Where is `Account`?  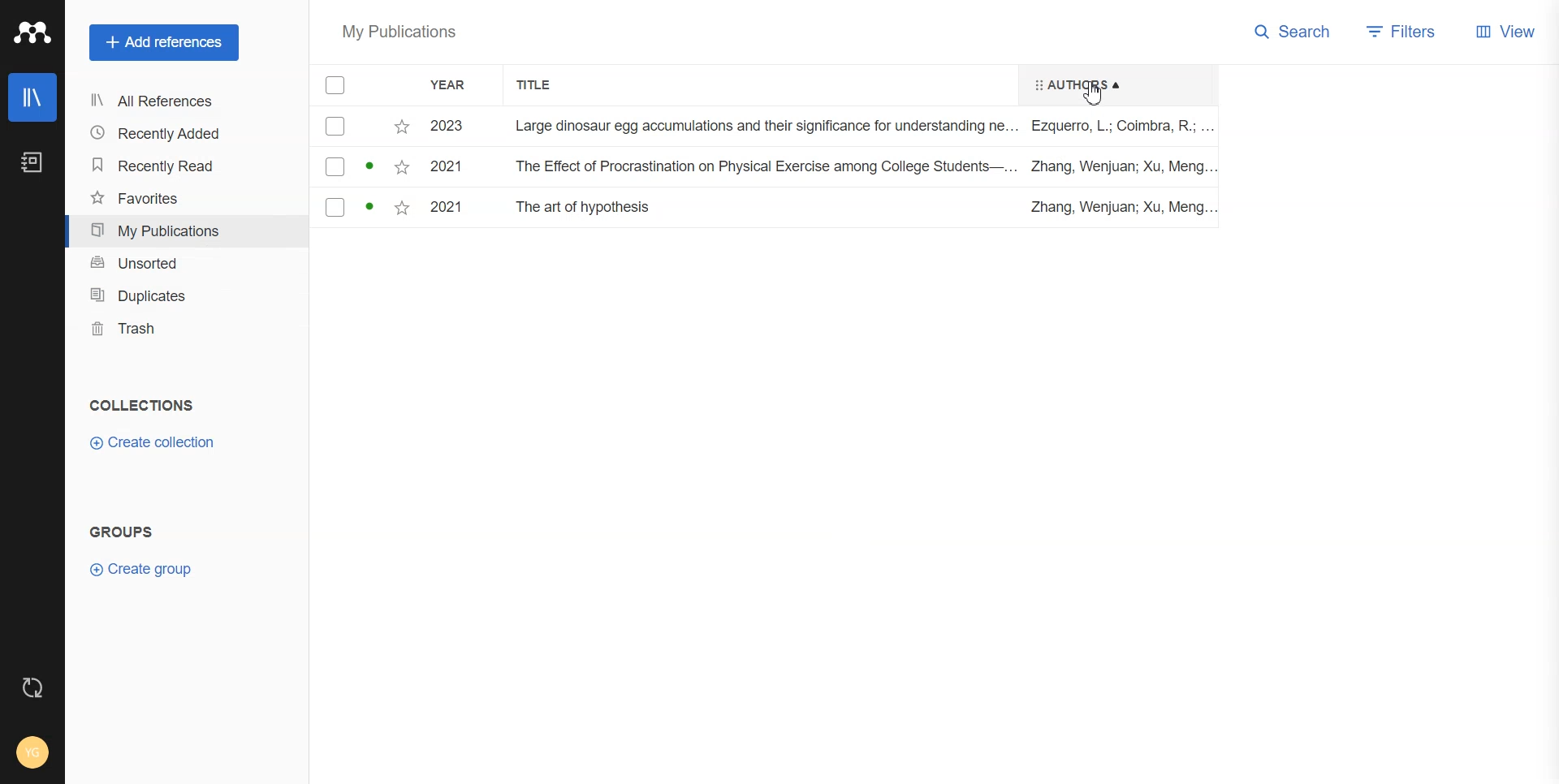
Account is located at coordinates (33, 752).